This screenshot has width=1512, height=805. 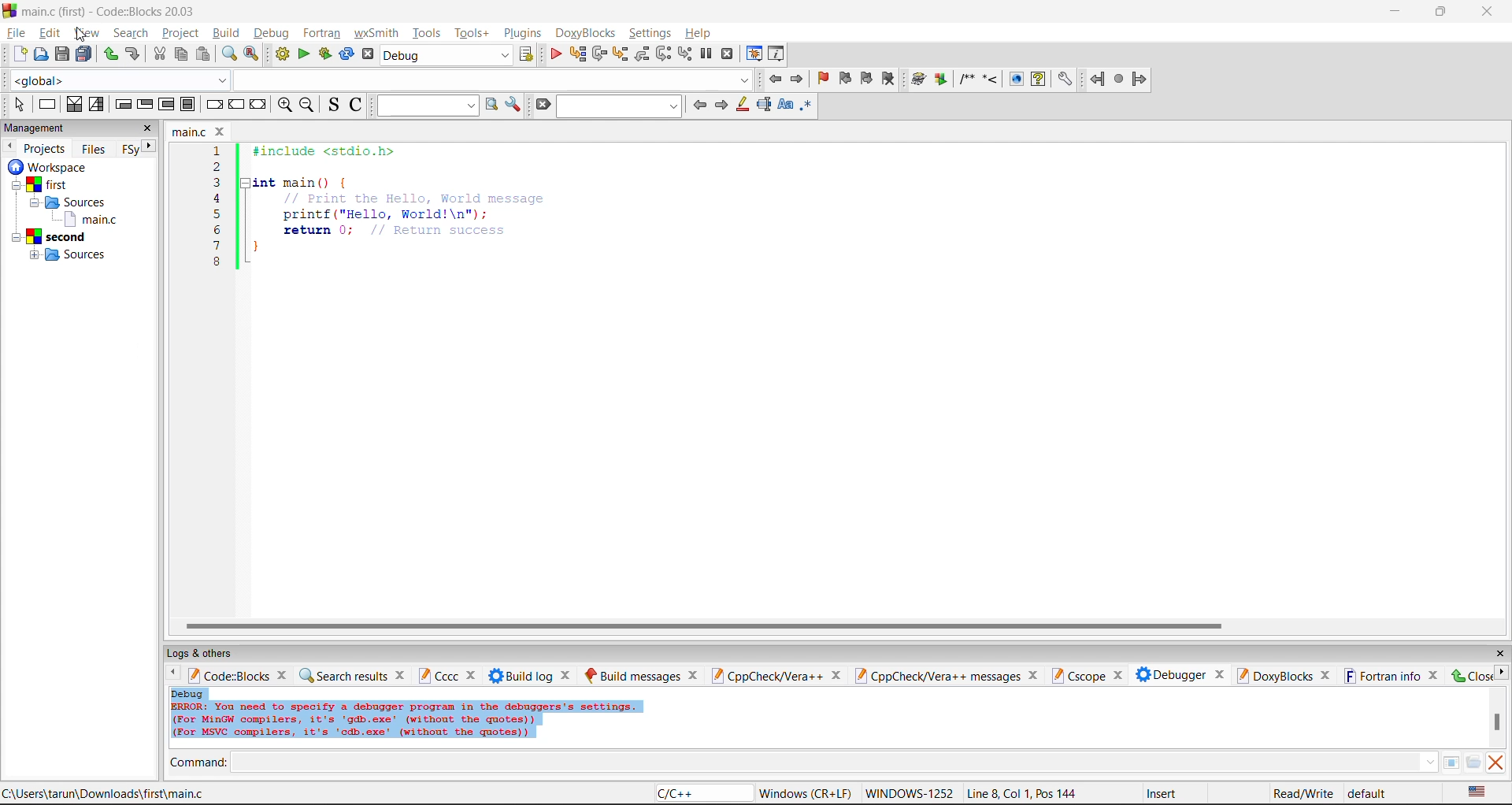 What do you see at coordinates (39, 128) in the screenshot?
I see `management` at bounding box center [39, 128].